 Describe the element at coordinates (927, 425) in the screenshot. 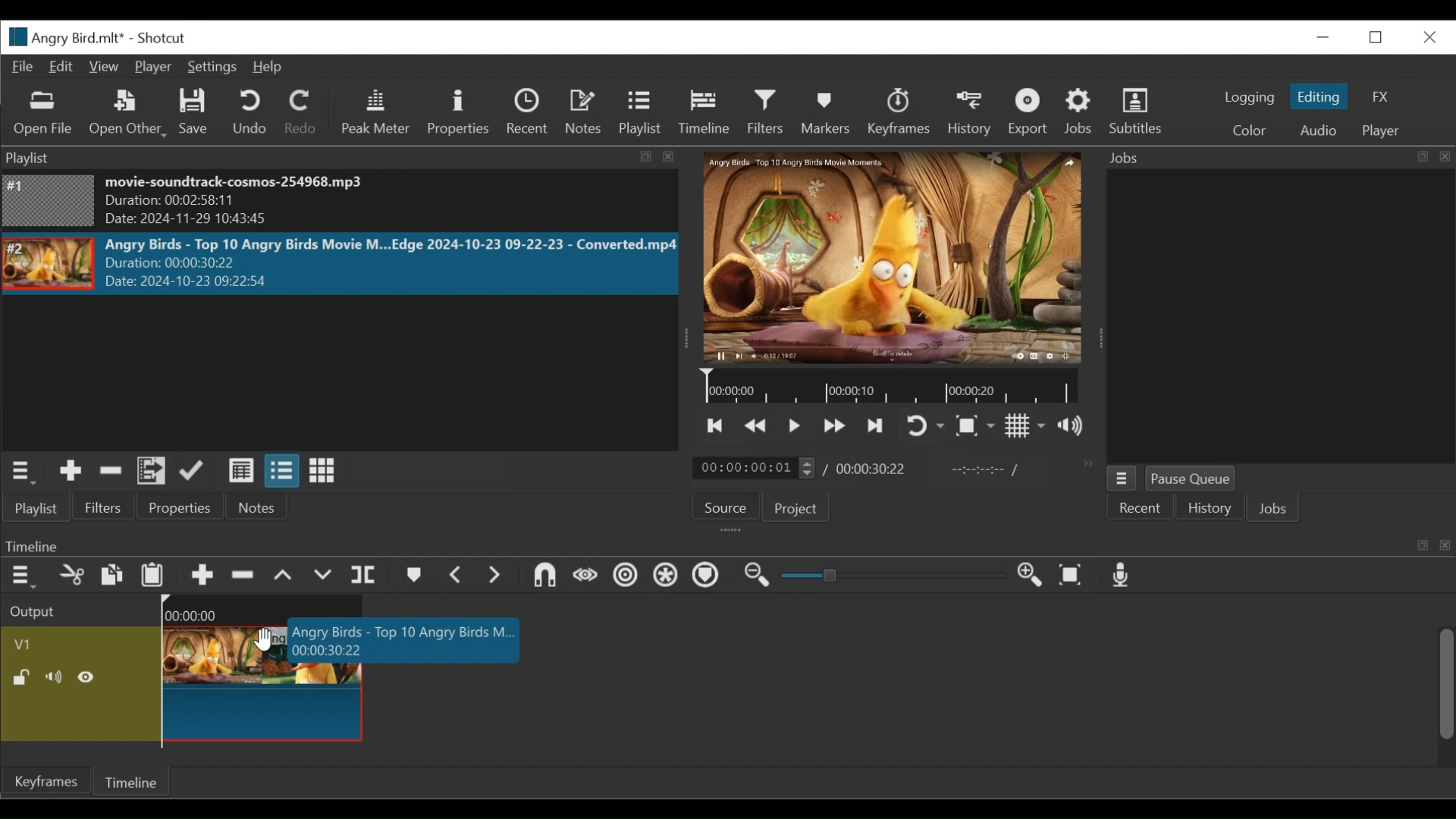

I see `Toggle on ` at that location.